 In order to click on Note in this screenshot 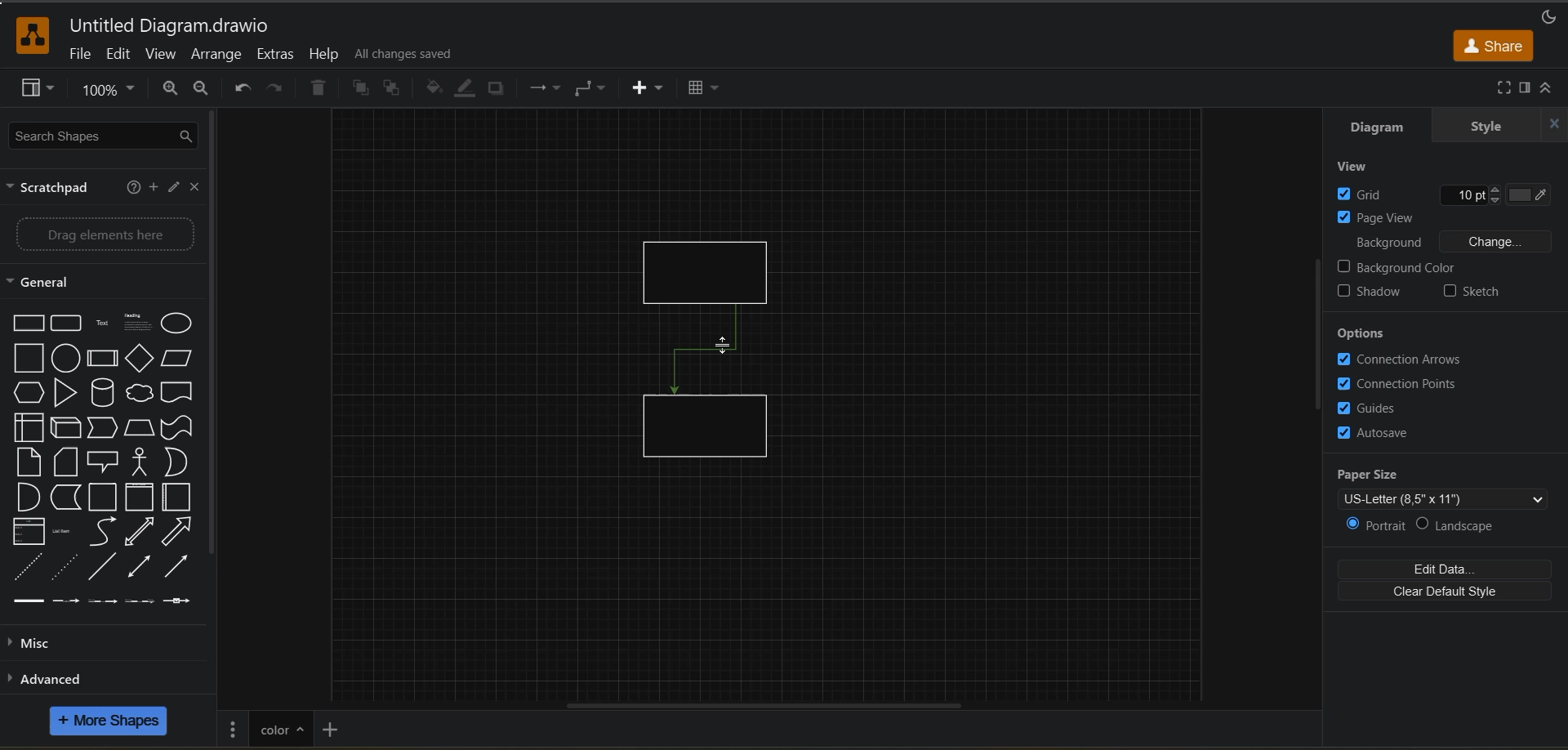, I will do `click(67, 461)`.